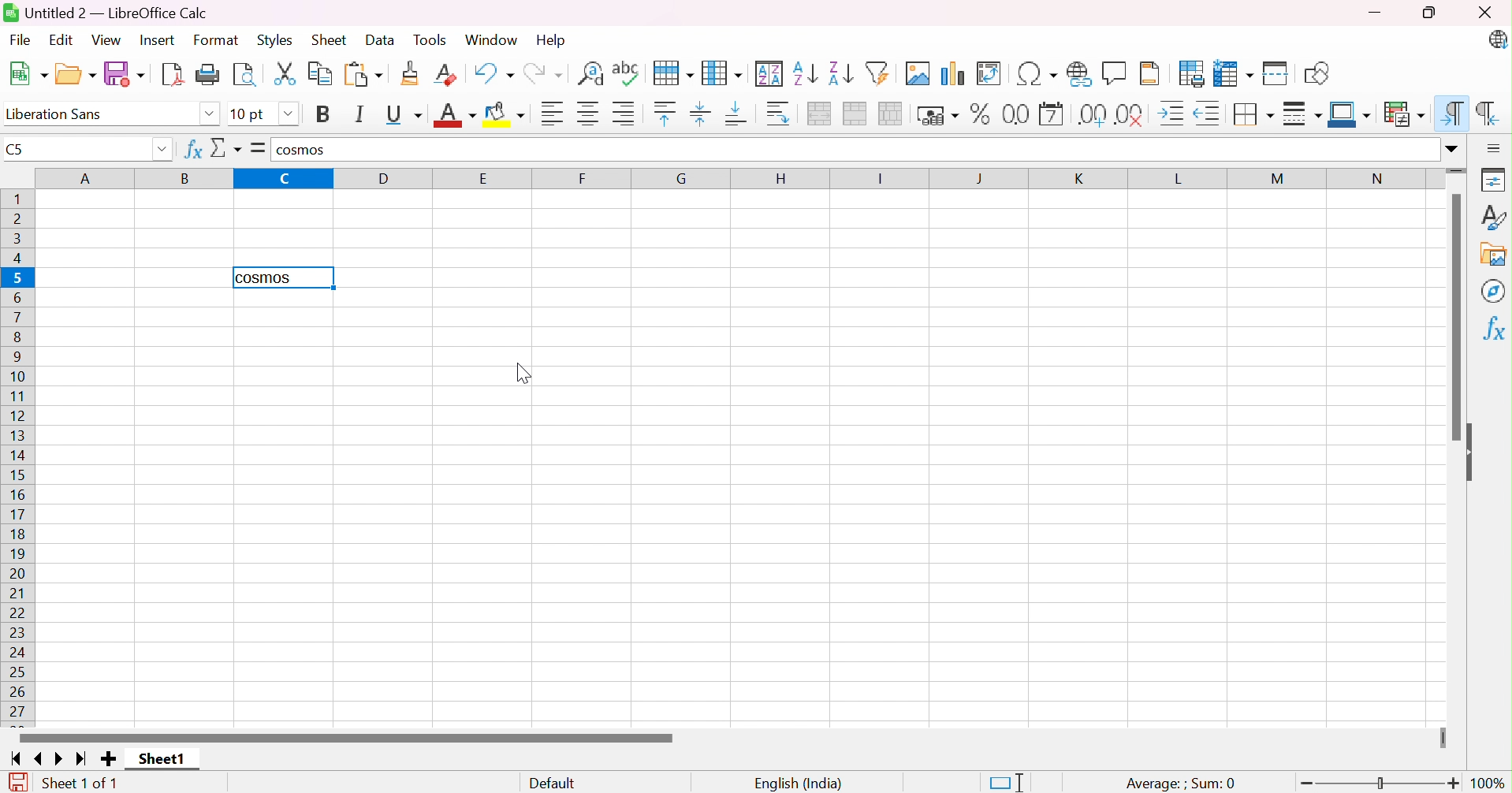 The image size is (1512, 793). I want to click on Bold, so click(326, 114).